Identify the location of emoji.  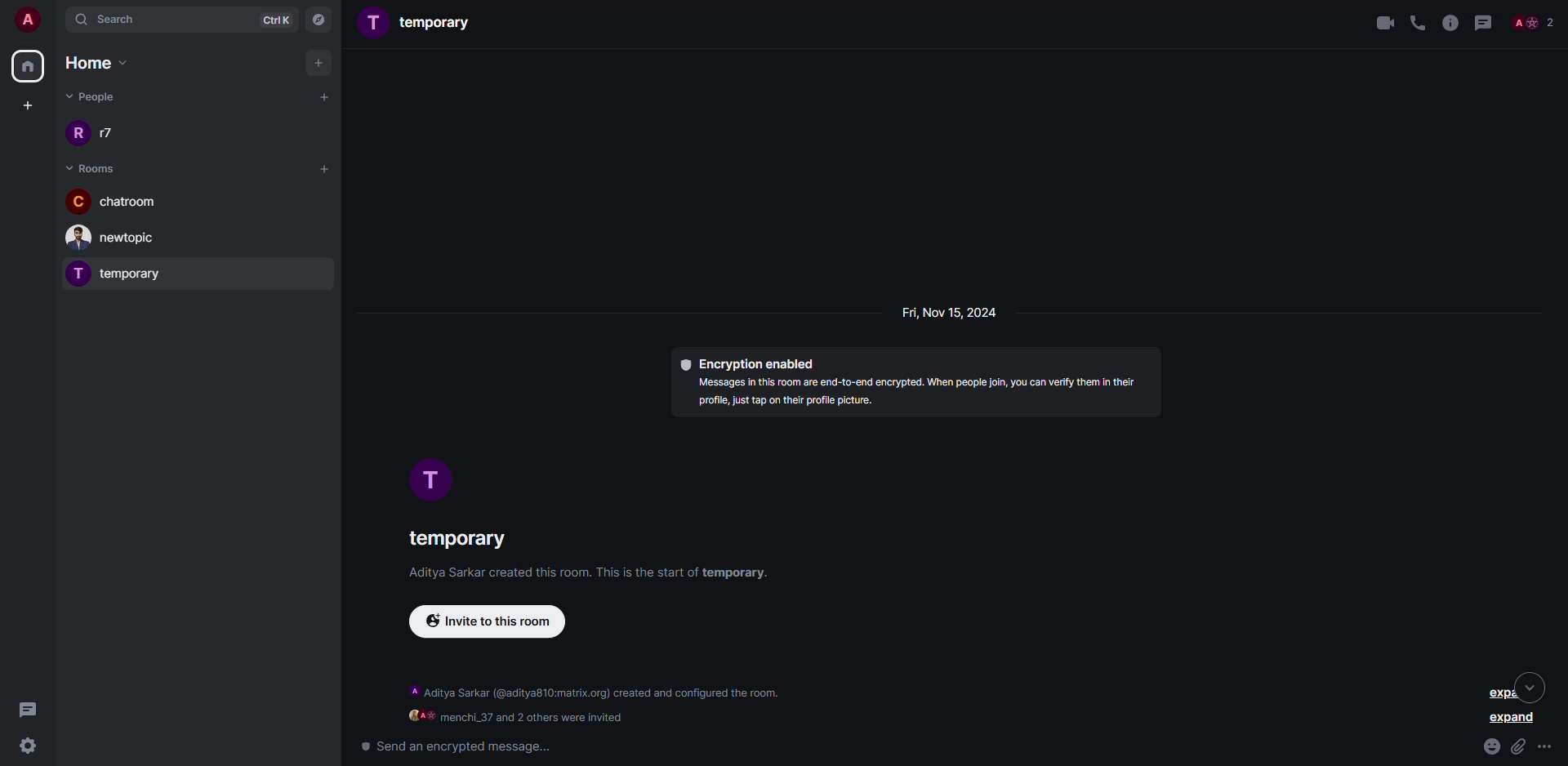
(1491, 744).